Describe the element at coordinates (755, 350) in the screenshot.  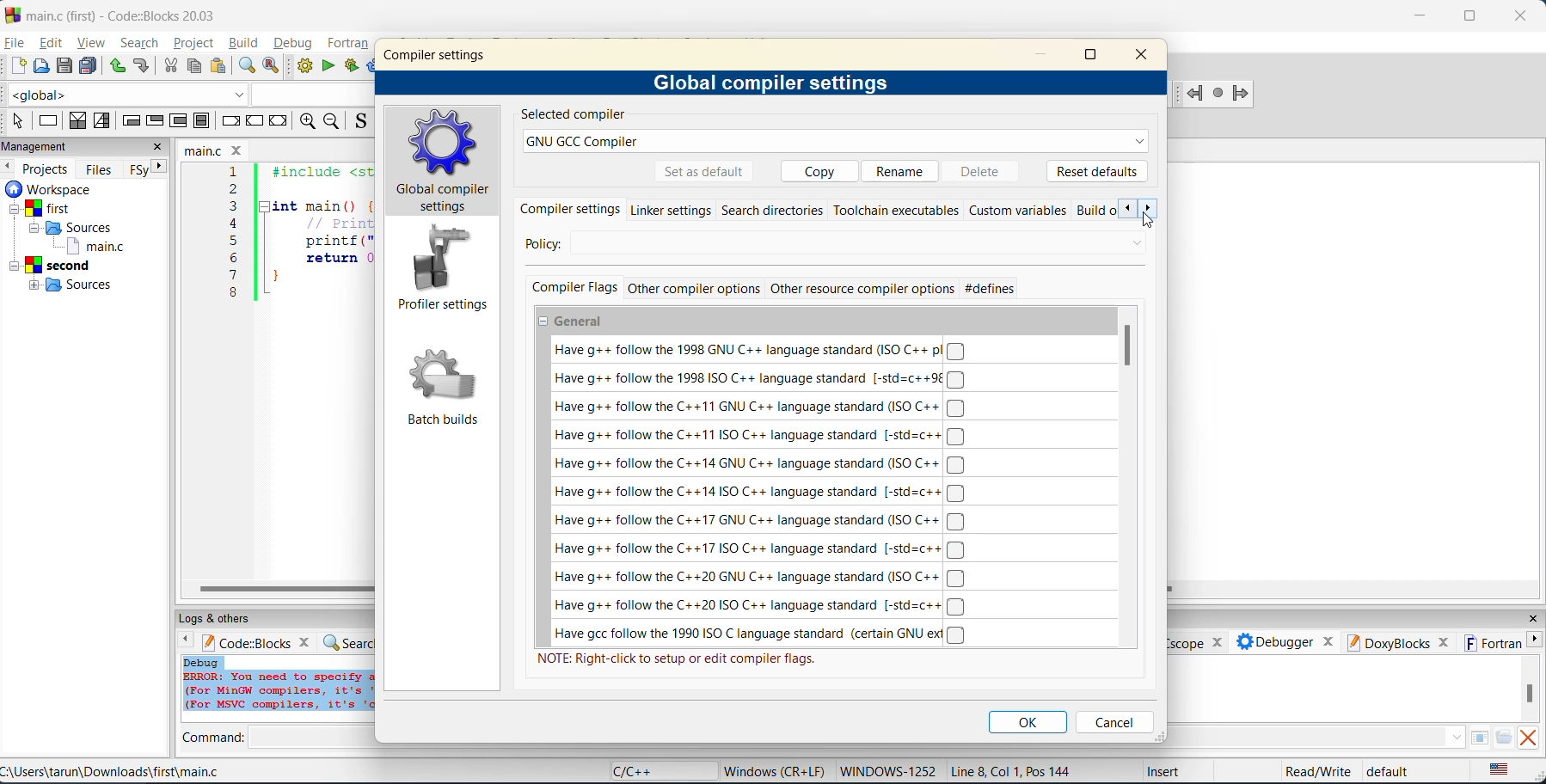
I see `Have g++ follow the 1998 GNU C++ language standard (150 C++ pi` at that location.